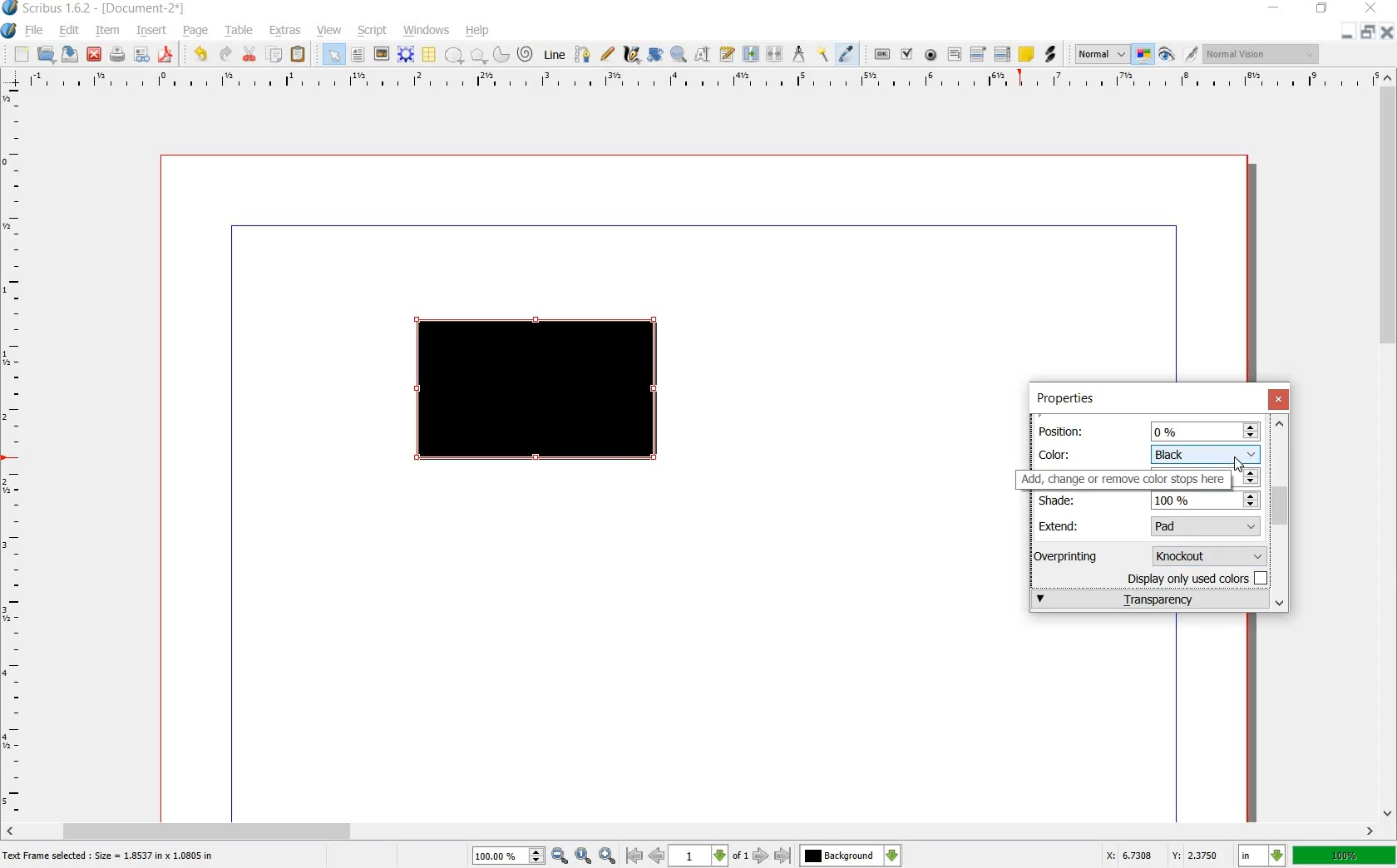  I want to click on close, so click(1385, 32).